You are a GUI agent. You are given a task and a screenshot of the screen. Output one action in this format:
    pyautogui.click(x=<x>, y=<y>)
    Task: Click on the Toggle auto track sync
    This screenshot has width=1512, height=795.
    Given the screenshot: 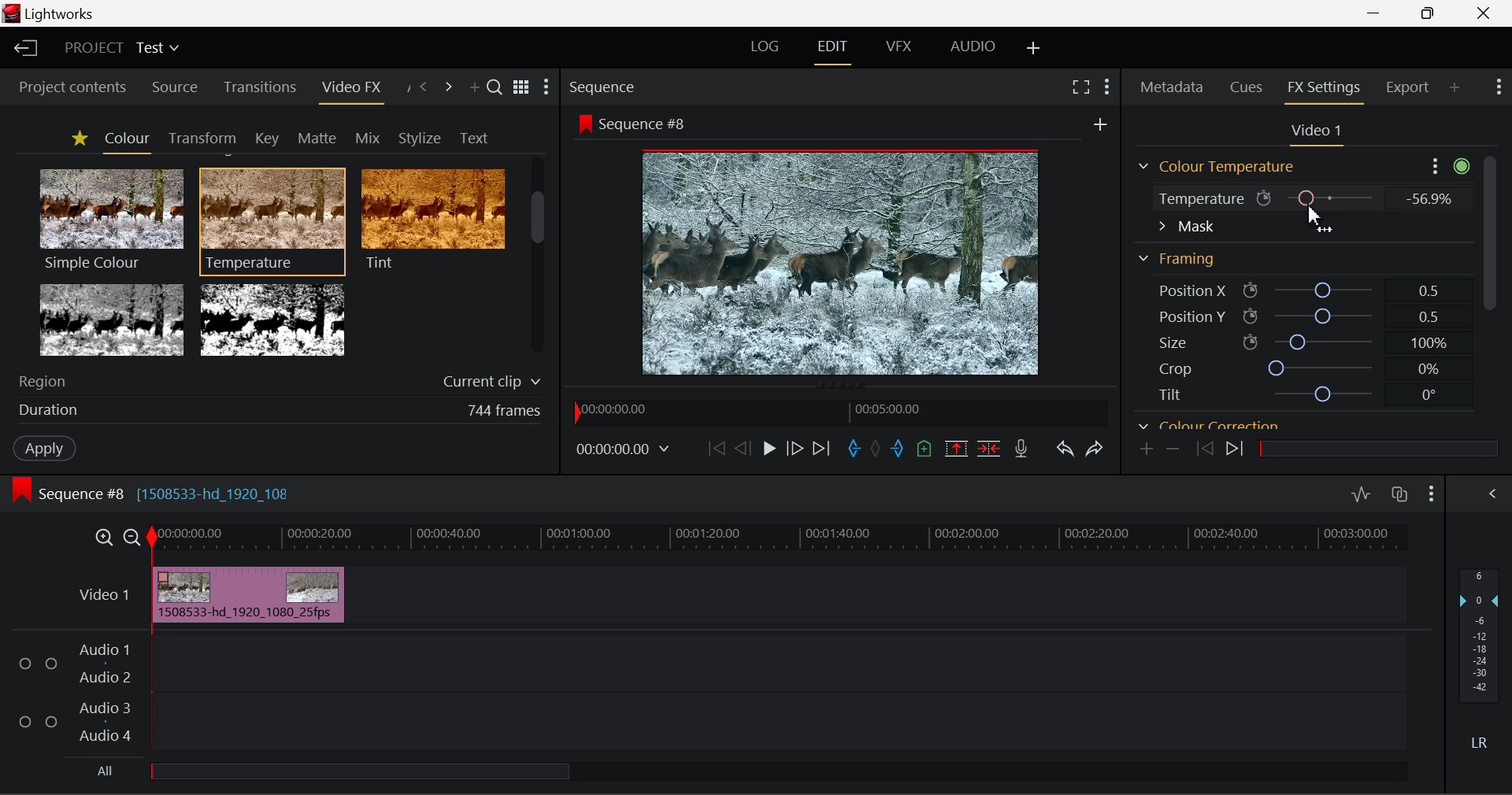 What is the action you would take?
    pyautogui.click(x=1399, y=494)
    